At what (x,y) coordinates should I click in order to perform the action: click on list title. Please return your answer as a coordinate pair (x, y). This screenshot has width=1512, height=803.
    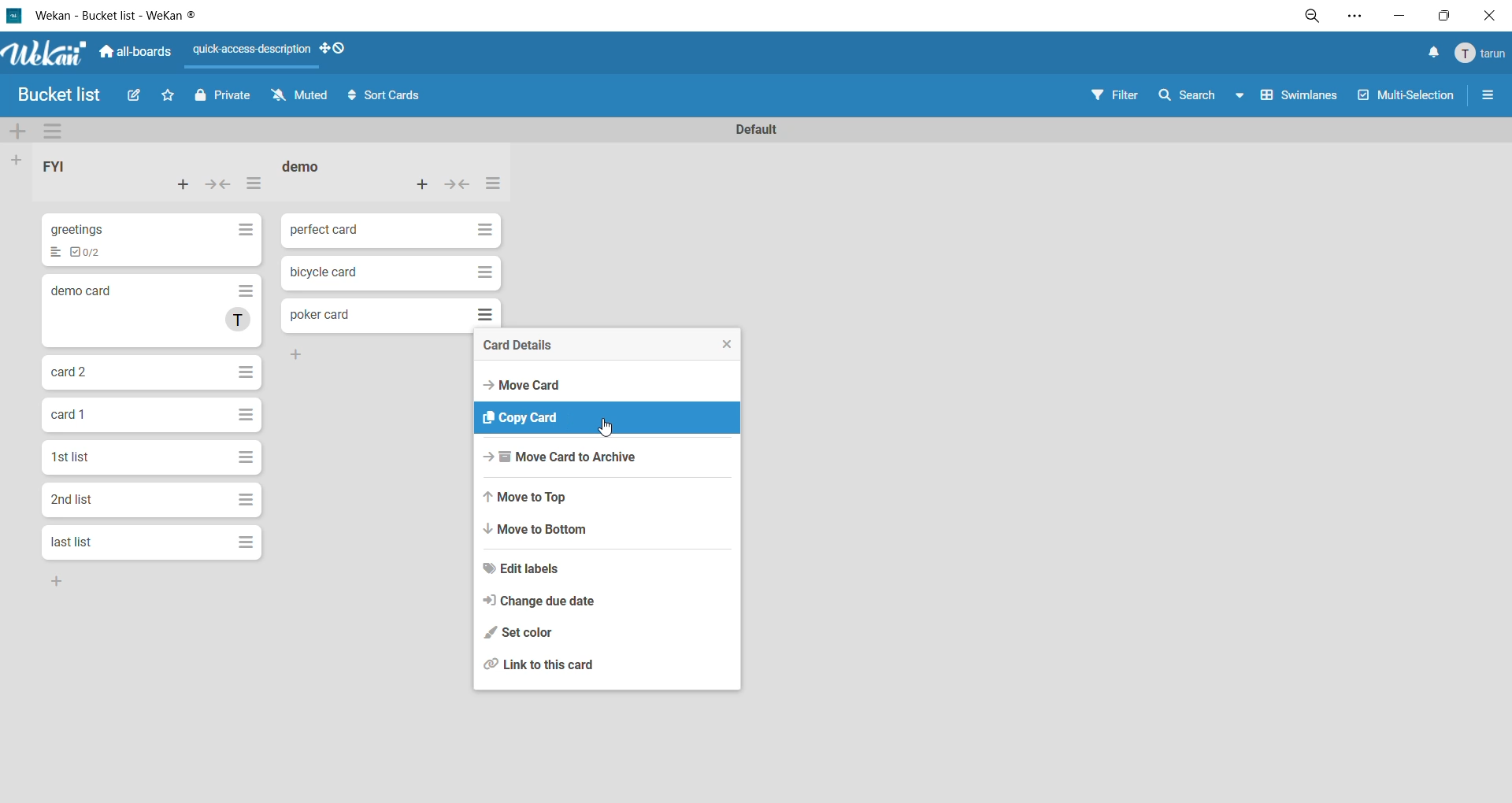
    Looking at the image, I should click on (66, 169).